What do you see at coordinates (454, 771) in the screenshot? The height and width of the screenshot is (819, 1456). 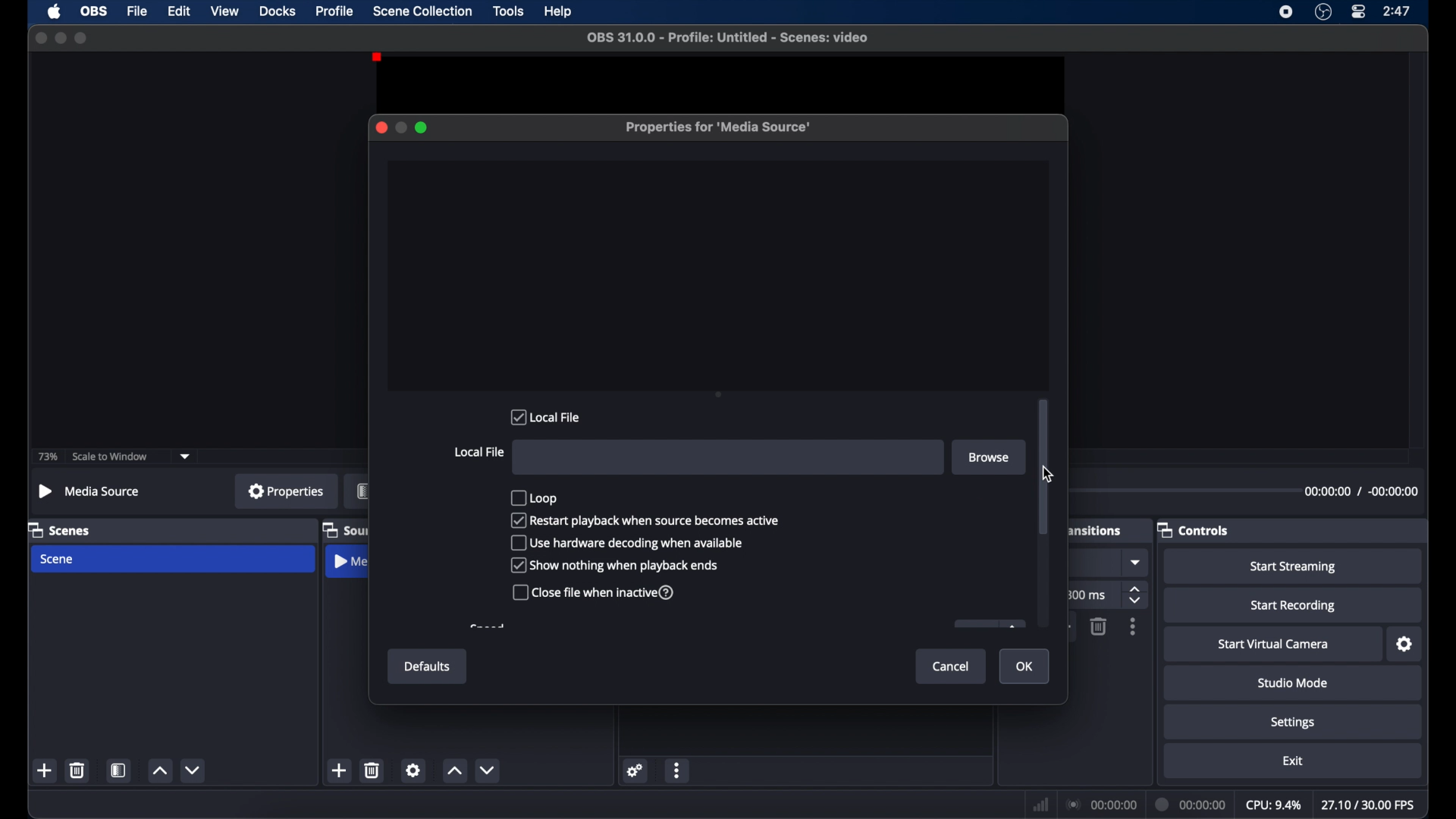 I see `increment button` at bounding box center [454, 771].